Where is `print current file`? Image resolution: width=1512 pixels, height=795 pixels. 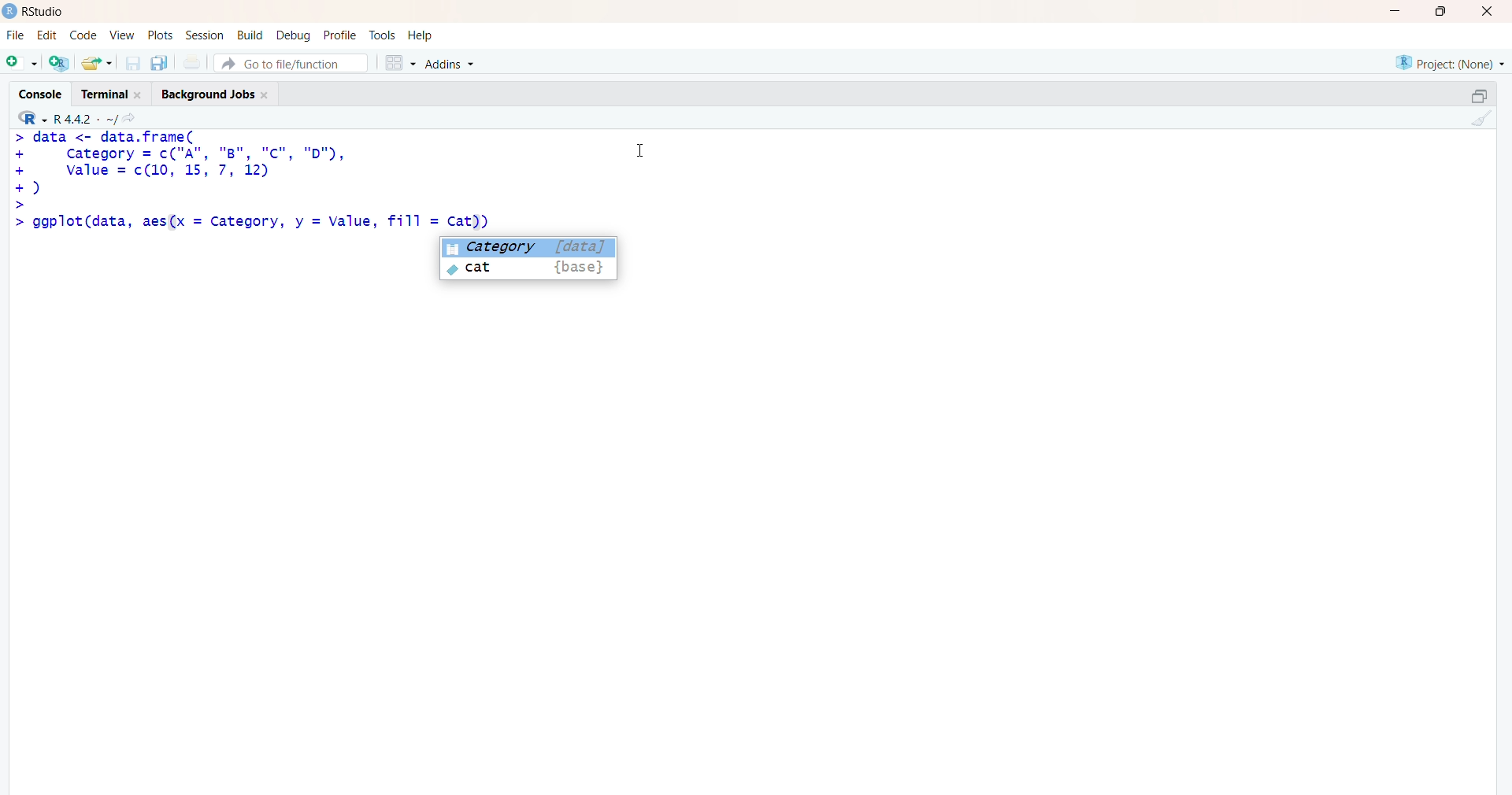 print current file is located at coordinates (190, 62).